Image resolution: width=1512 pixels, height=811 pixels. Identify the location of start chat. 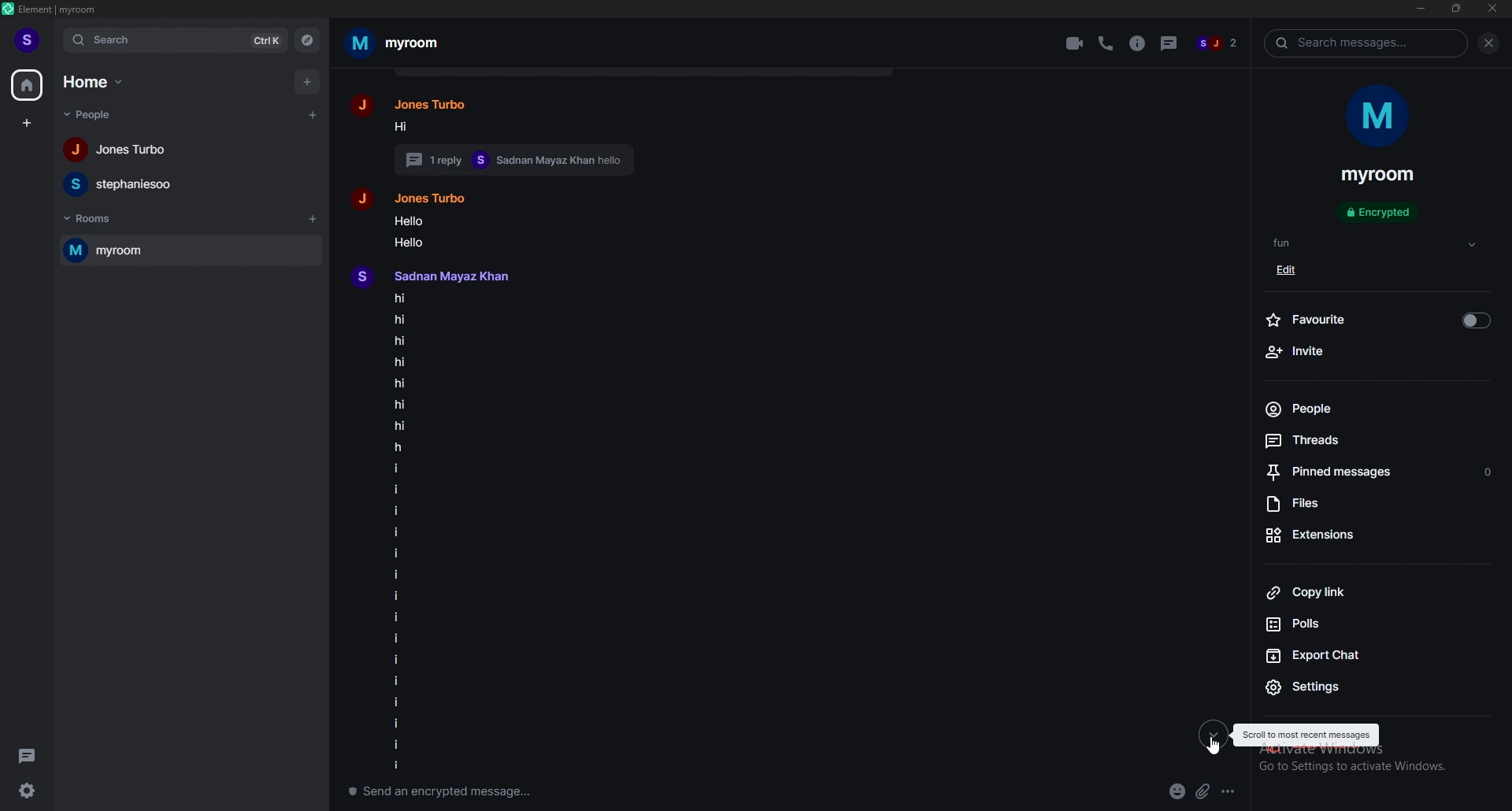
(312, 116).